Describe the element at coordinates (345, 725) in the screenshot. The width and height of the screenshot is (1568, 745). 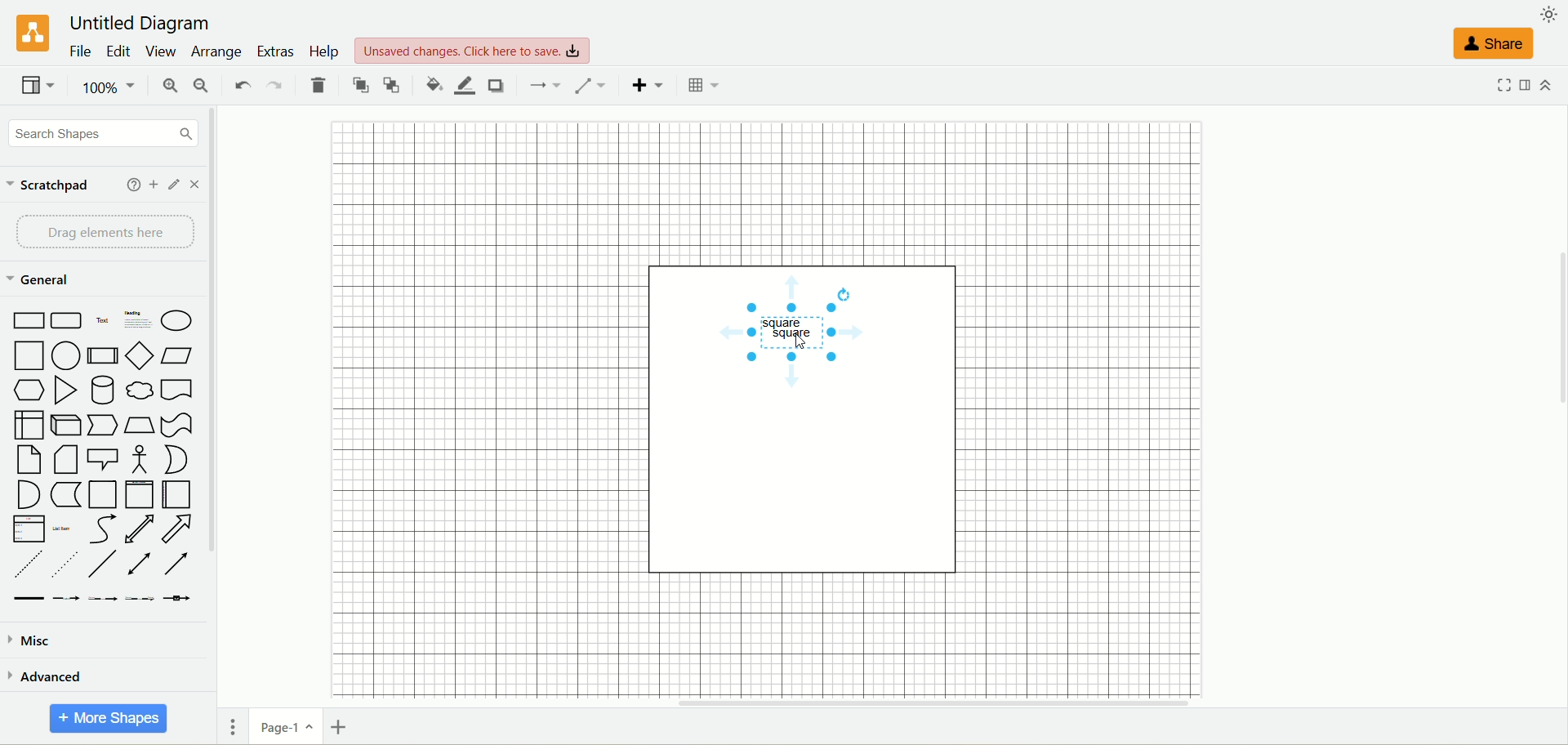
I see `insert page` at that location.